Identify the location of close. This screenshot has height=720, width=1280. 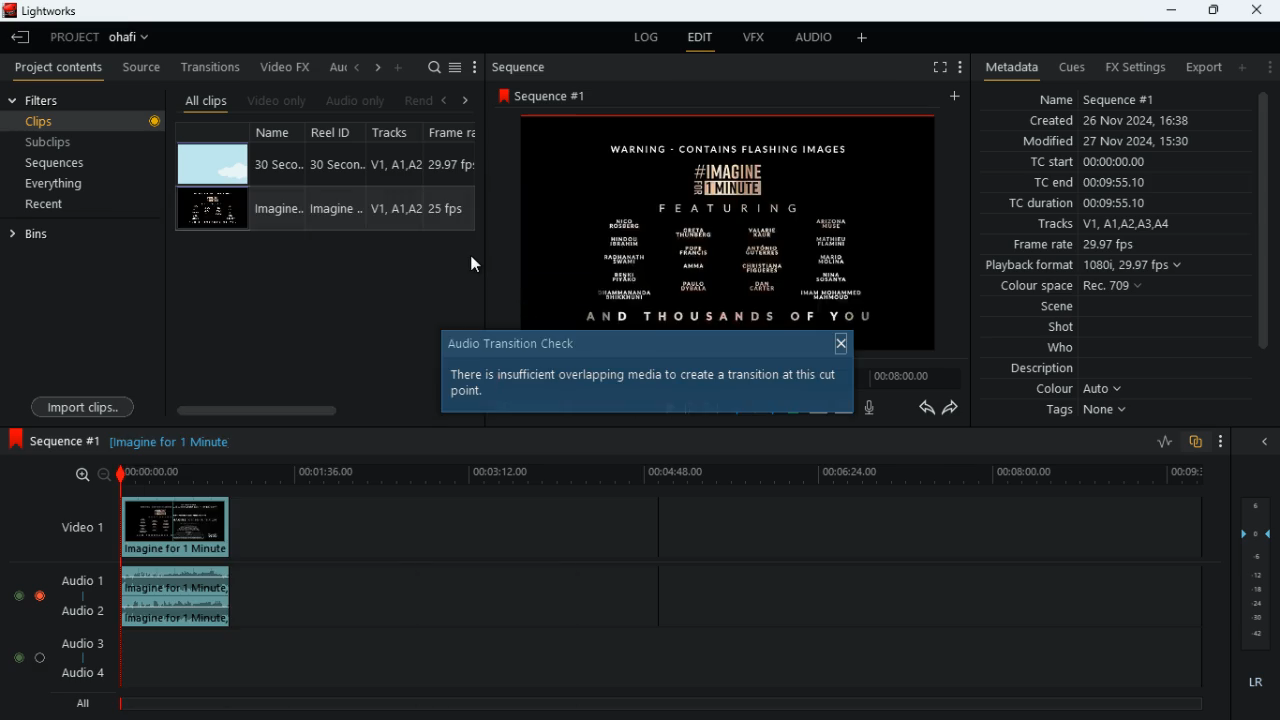
(1269, 443).